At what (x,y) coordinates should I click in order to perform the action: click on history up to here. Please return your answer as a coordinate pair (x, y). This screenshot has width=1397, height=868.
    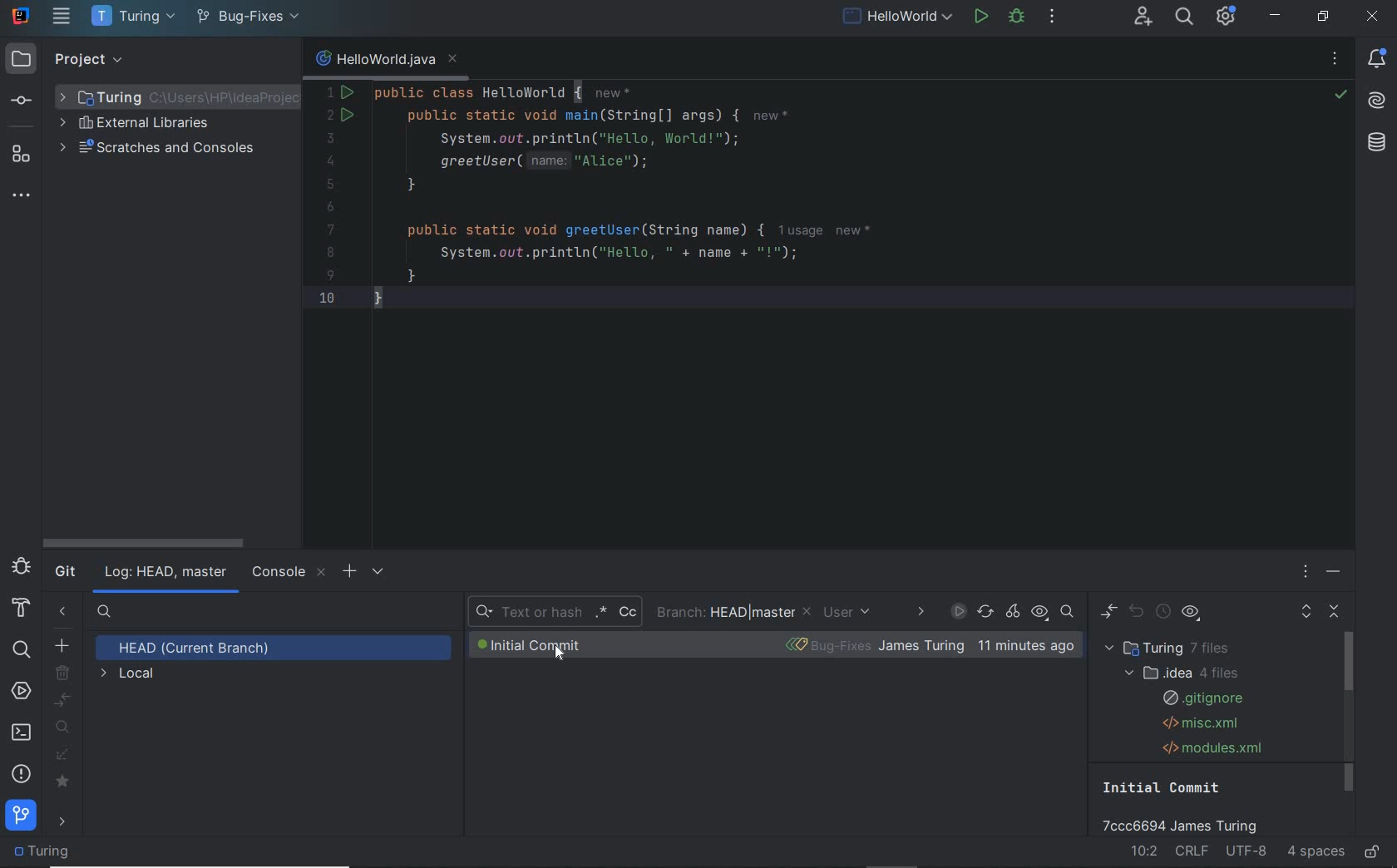
    Looking at the image, I should click on (1163, 614).